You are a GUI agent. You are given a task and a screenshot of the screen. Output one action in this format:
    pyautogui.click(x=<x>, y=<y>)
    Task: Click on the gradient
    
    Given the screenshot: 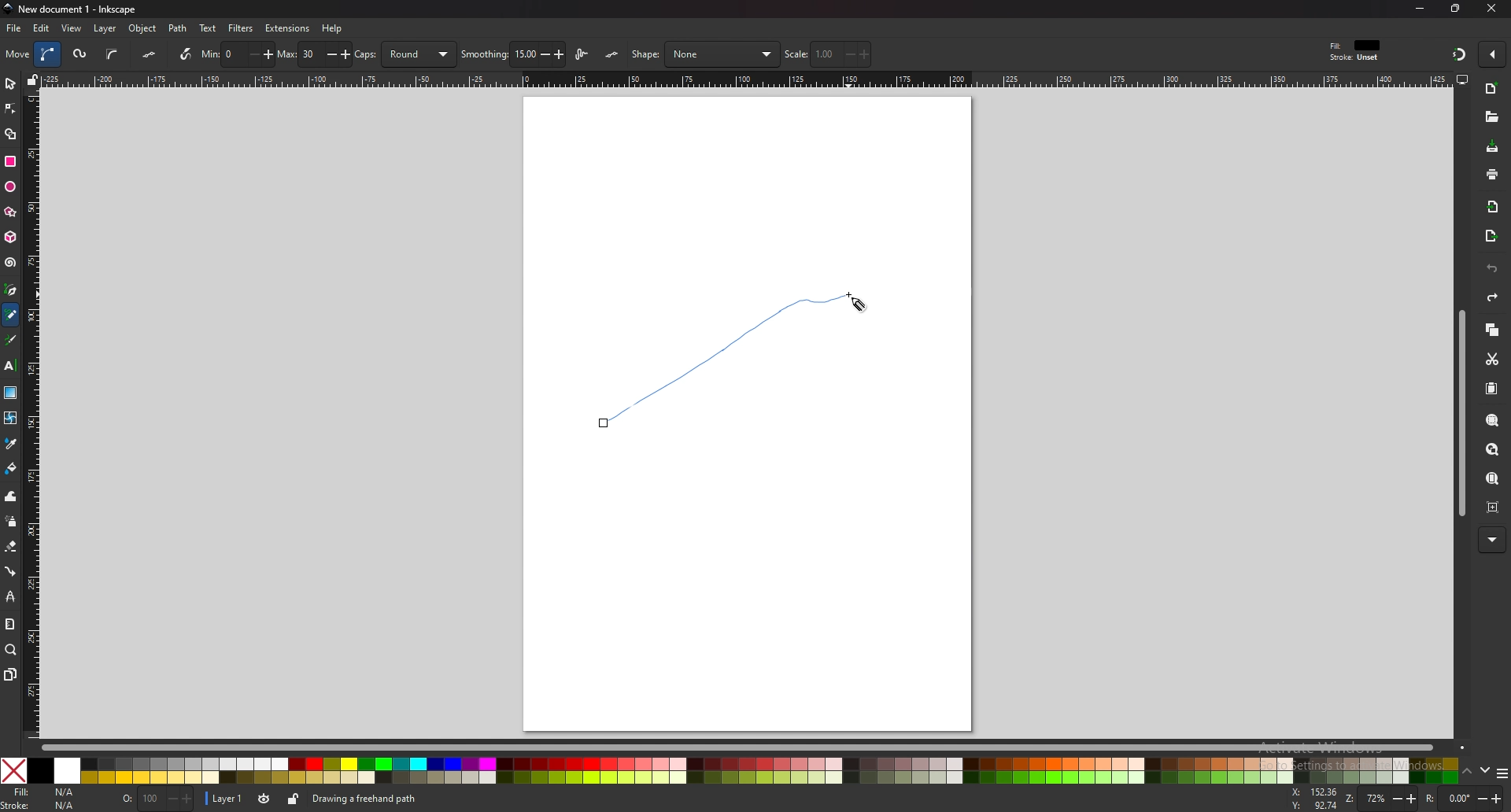 What is the action you would take?
    pyautogui.click(x=10, y=392)
    